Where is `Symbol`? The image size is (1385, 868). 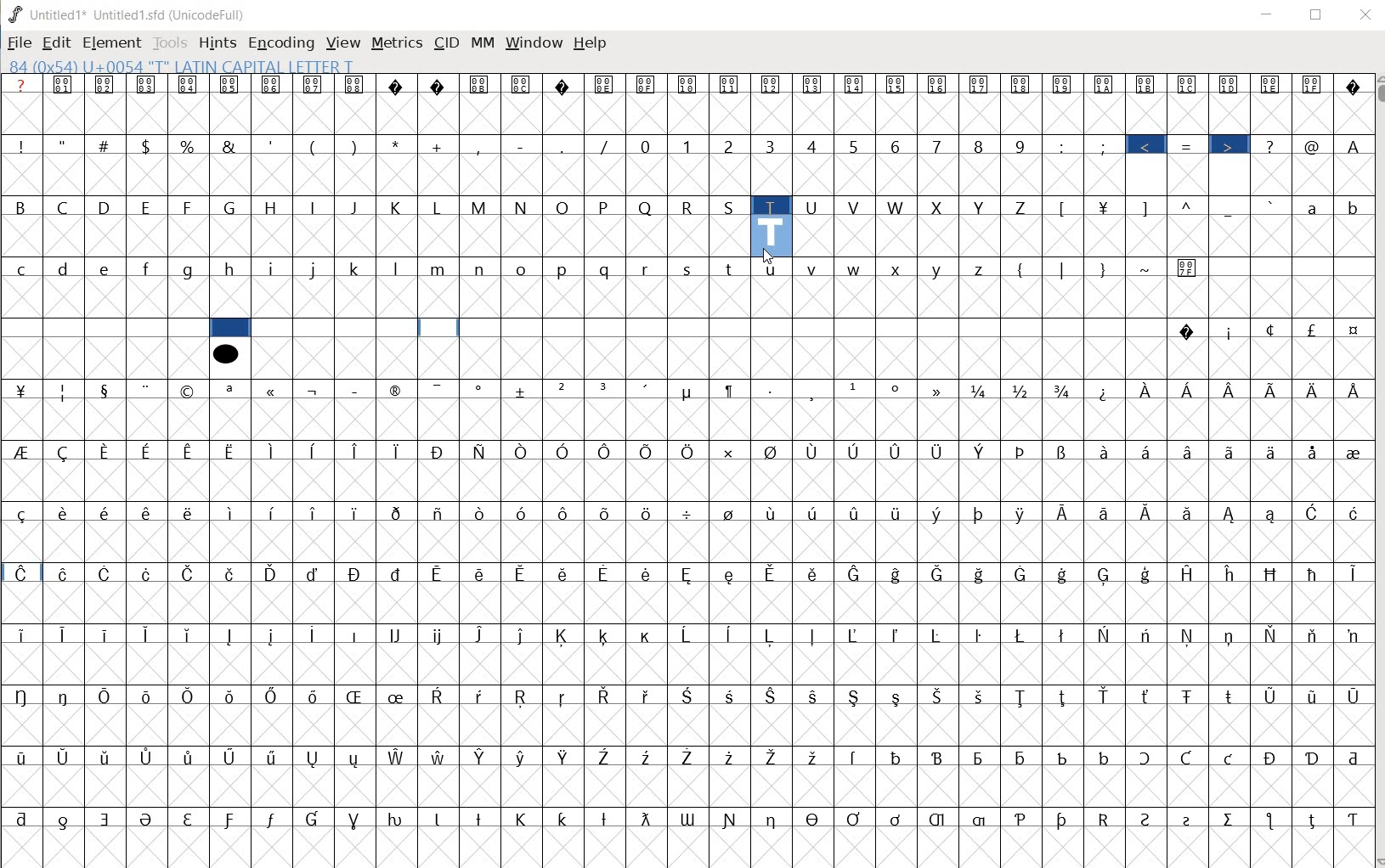 Symbol is located at coordinates (1105, 634).